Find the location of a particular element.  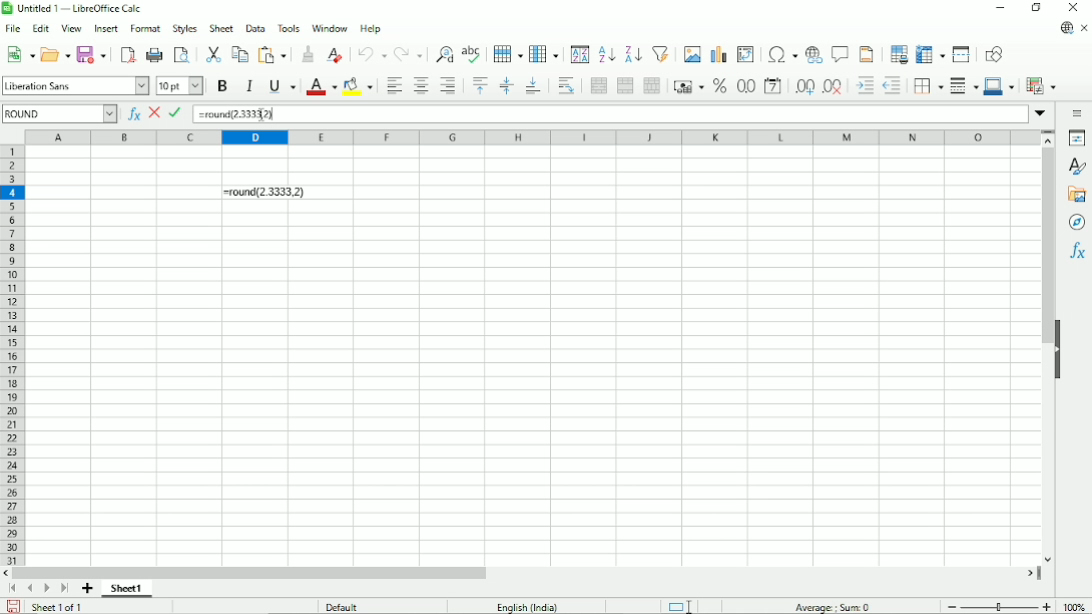

Open is located at coordinates (56, 53).